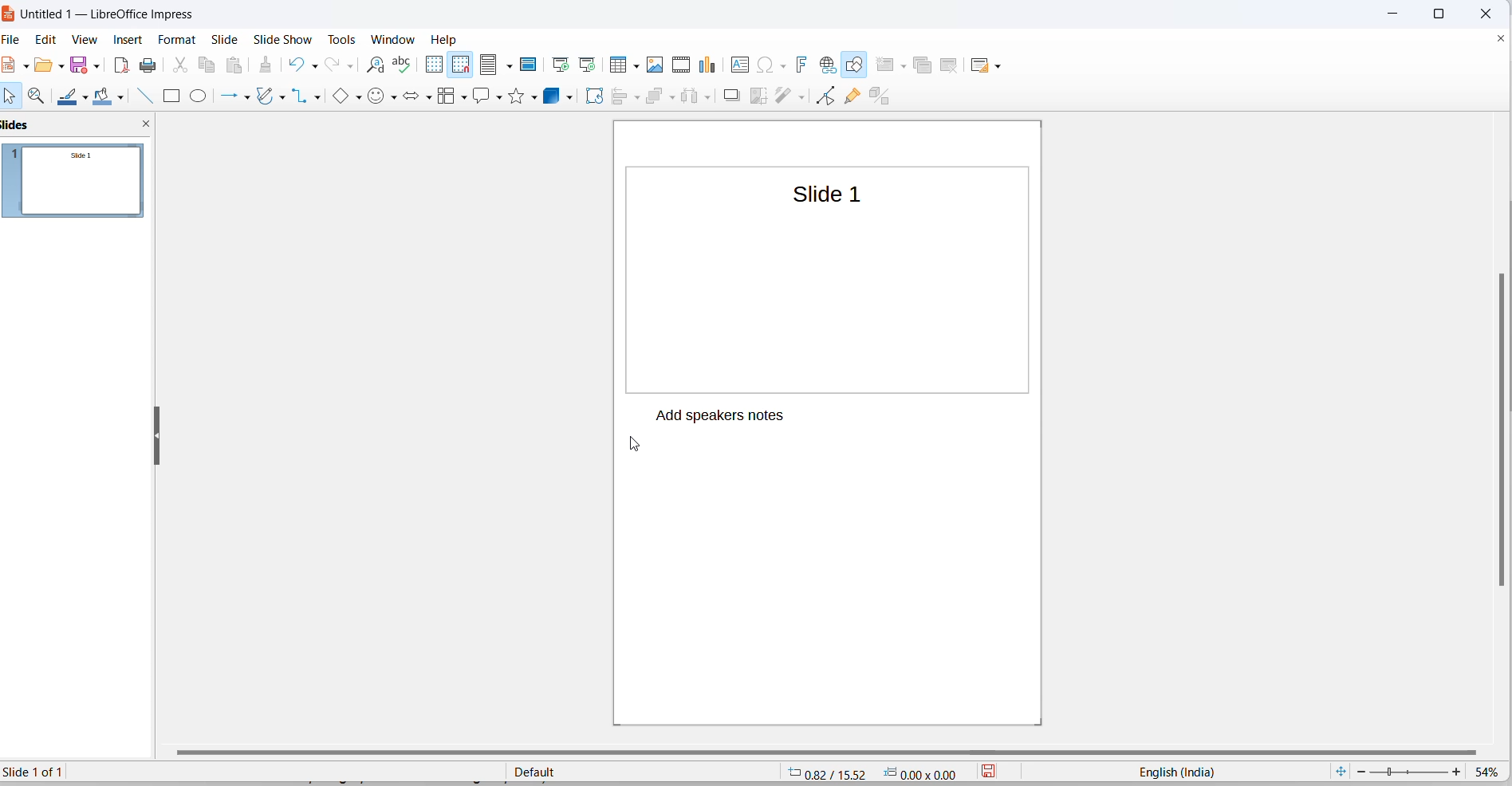  What do you see at coordinates (179, 39) in the screenshot?
I see `format` at bounding box center [179, 39].